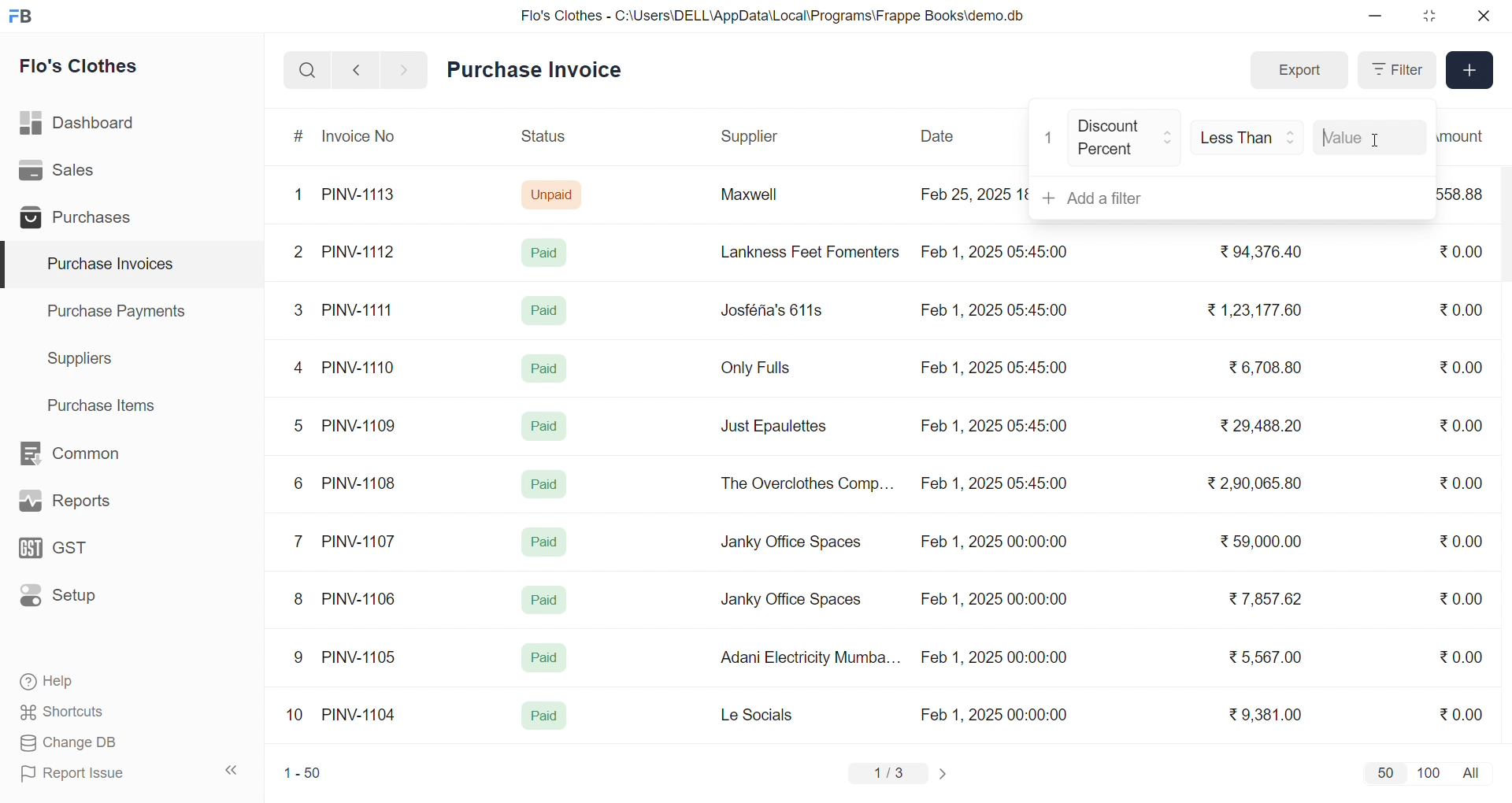  I want to click on Paid, so click(545, 600).